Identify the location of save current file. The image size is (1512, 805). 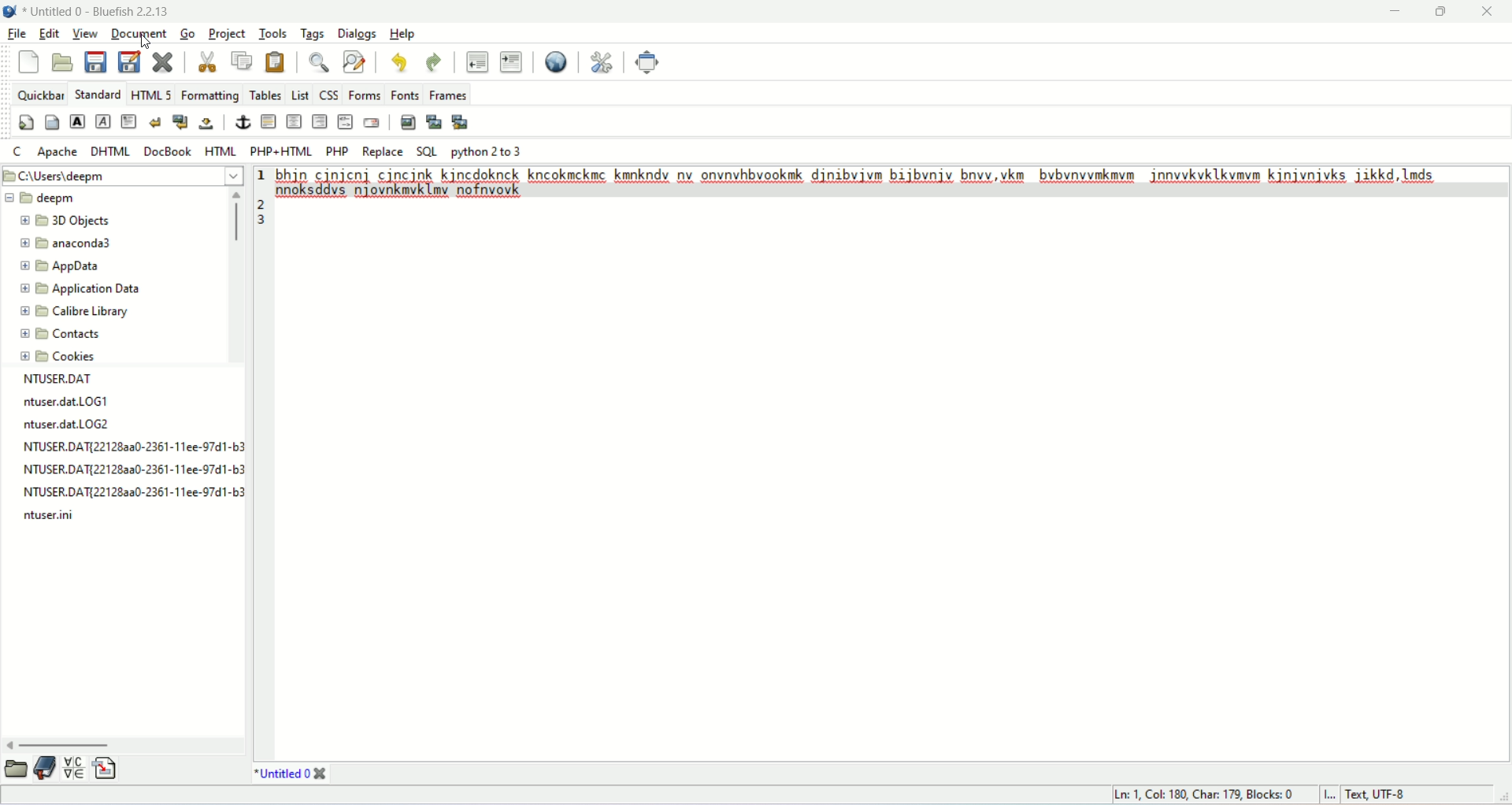
(95, 63).